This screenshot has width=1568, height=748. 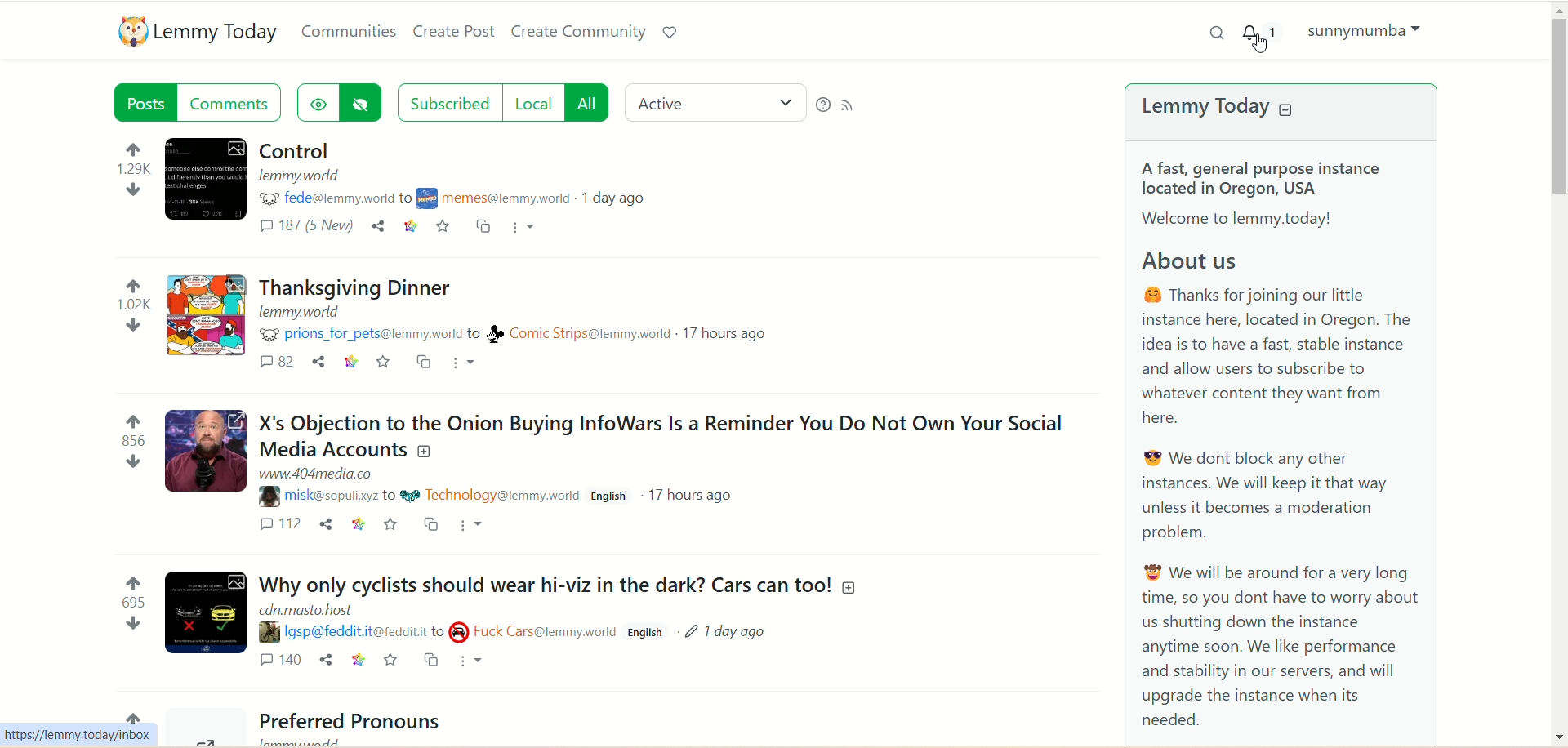 What do you see at coordinates (237, 103) in the screenshot?
I see `comments` at bounding box center [237, 103].